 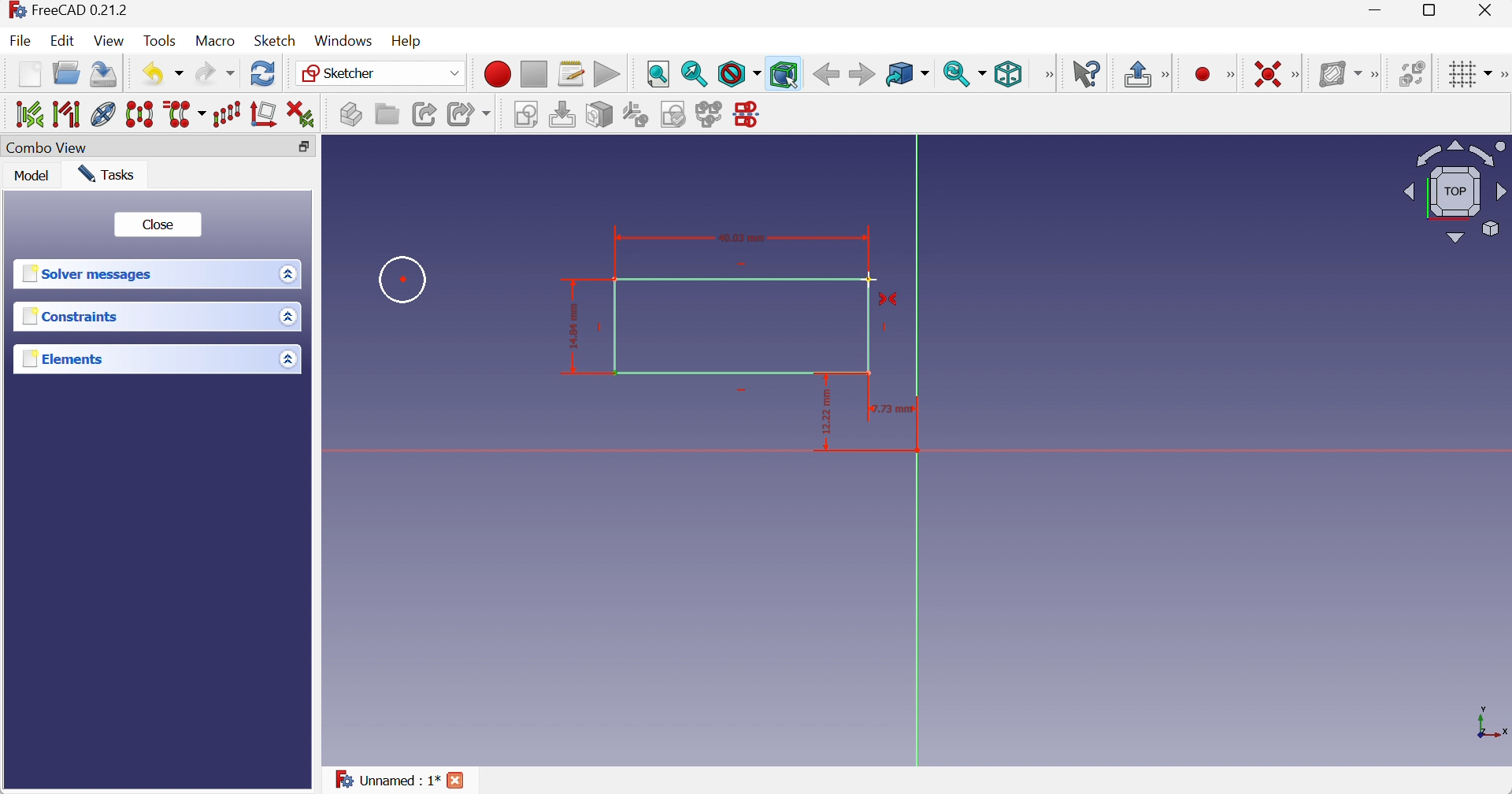 I want to click on Save, so click(x=102, y=75).